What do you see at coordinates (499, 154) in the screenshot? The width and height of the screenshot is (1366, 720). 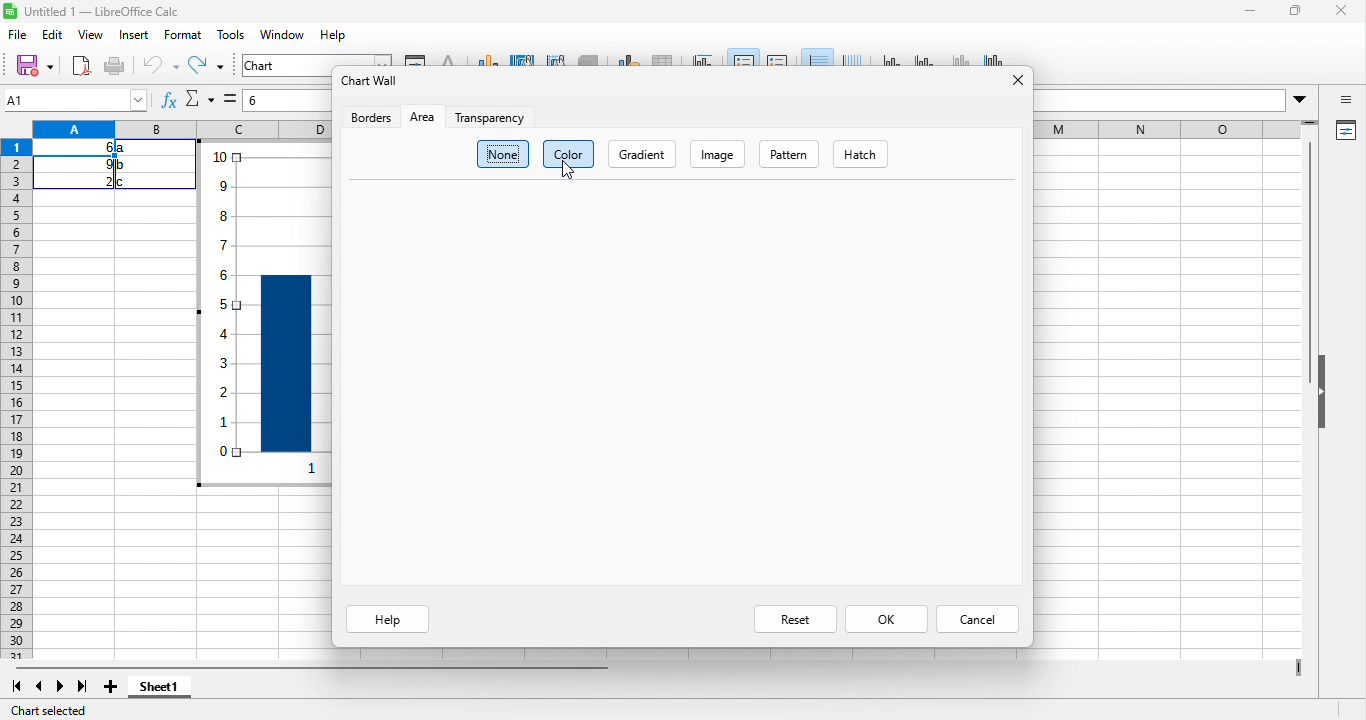 I see `none` at bounding box center [499, 154].